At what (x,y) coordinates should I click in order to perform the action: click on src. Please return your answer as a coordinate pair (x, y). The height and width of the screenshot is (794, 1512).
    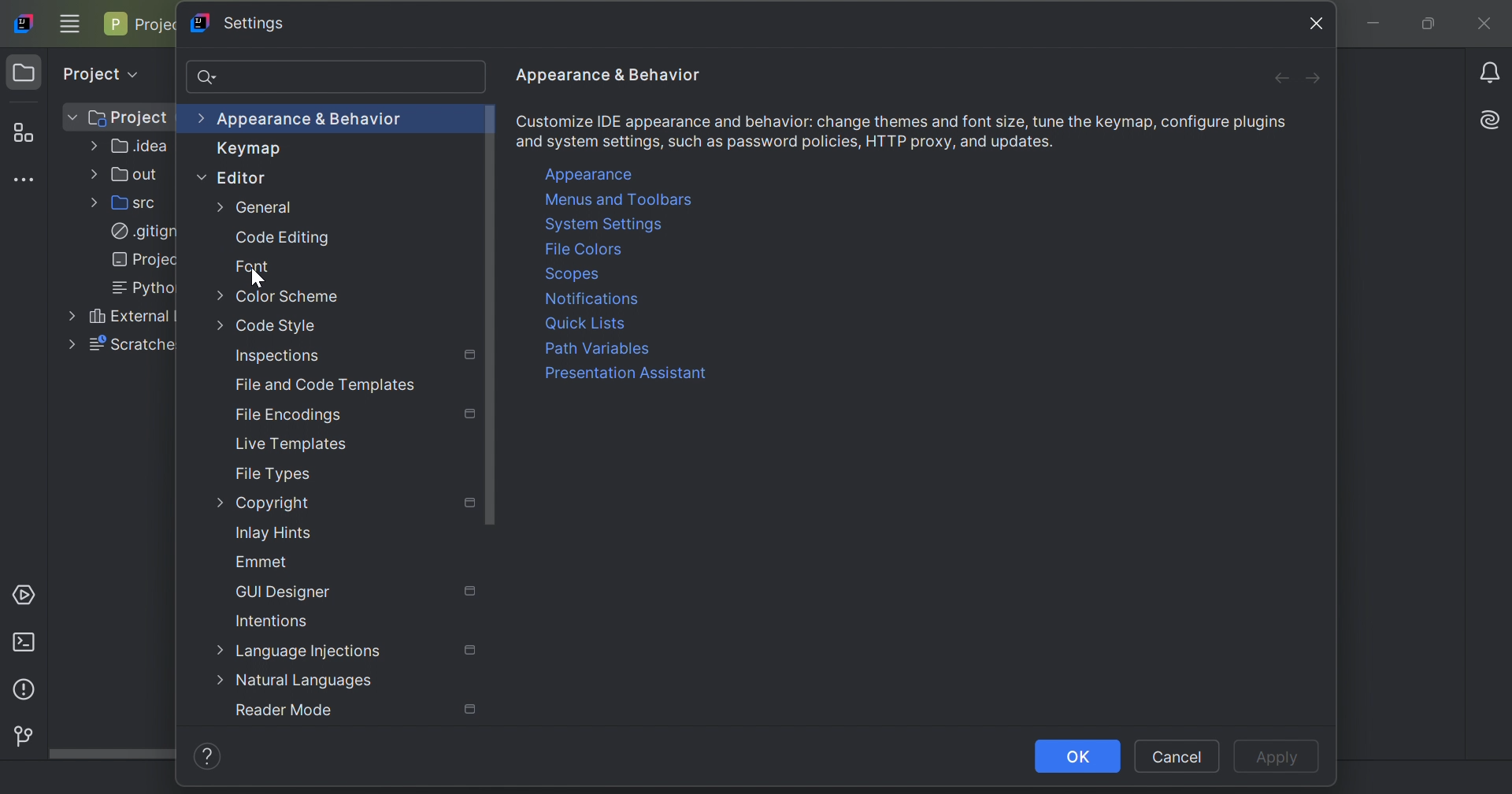
    Looking at the image, I should click on (132, 202).